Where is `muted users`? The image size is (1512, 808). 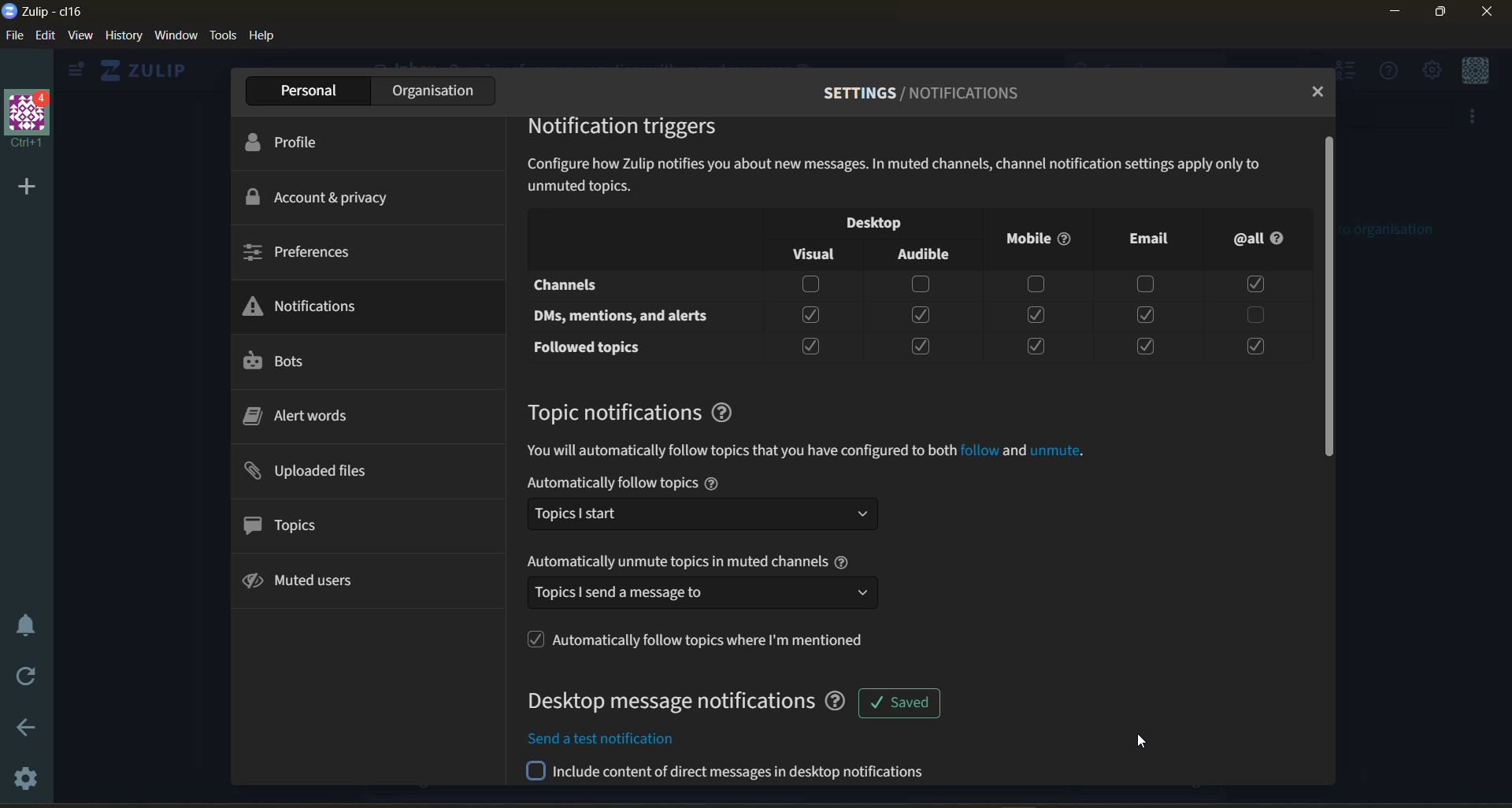 muted users is located at coordinates (310, 584).